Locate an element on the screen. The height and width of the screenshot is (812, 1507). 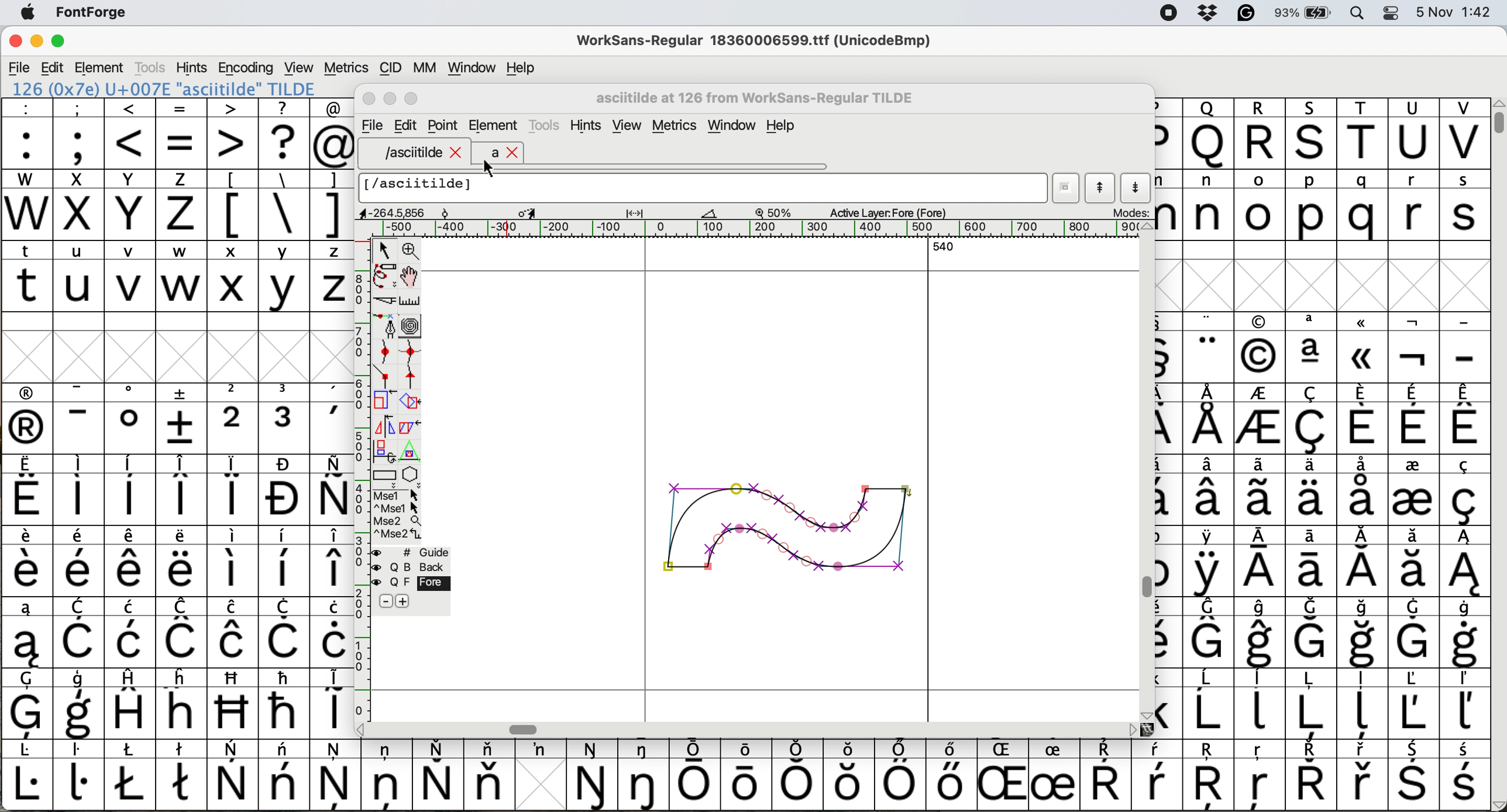
symbol is located at coordinates (285, 490).